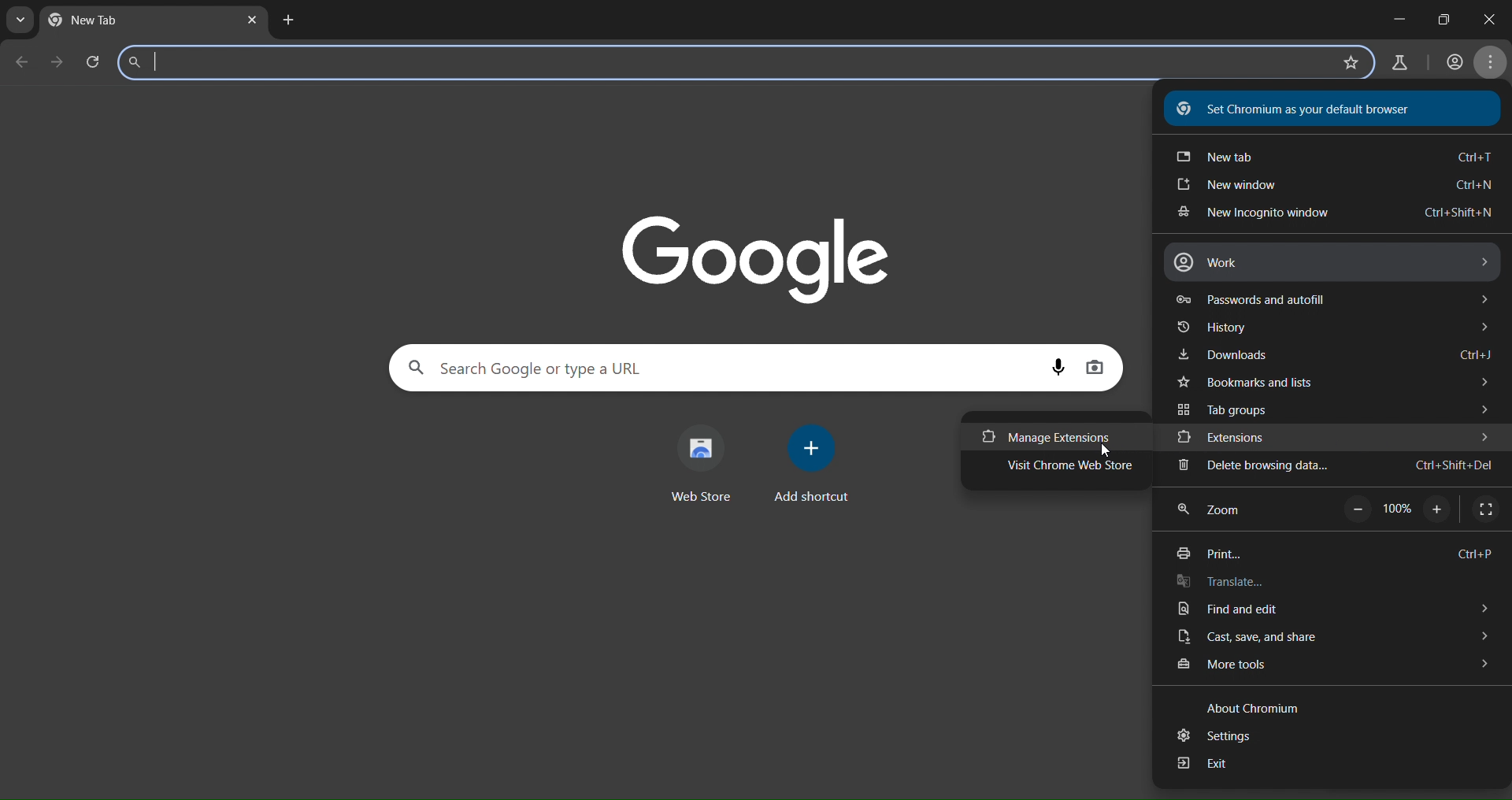  What do you see at coordinates (1340, 609) in the screenshot?
I see `find and edit` at bounding box center [1340, 609].